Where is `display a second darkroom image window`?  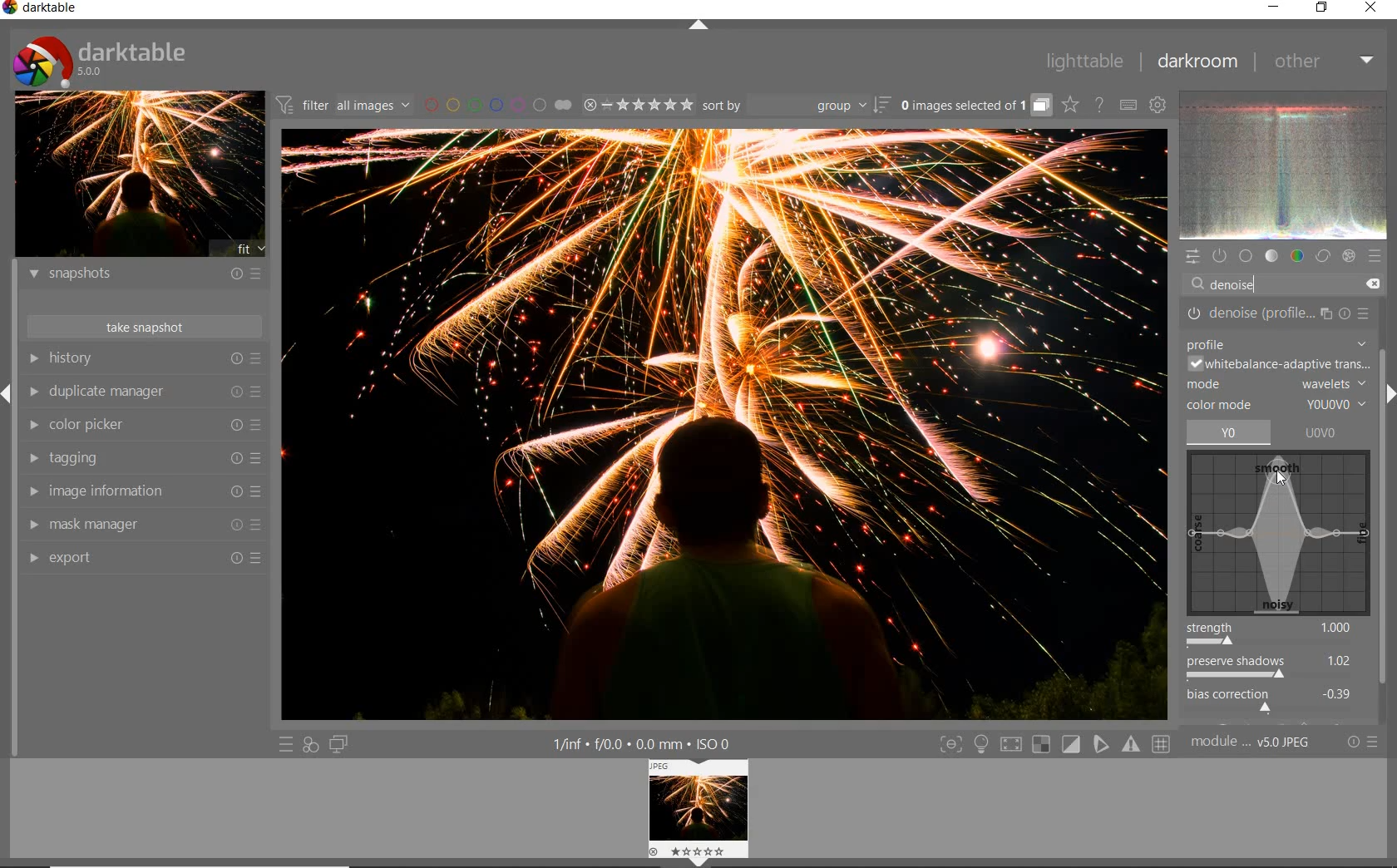 display a second darkroom image window is located at coordinates (341, 745).